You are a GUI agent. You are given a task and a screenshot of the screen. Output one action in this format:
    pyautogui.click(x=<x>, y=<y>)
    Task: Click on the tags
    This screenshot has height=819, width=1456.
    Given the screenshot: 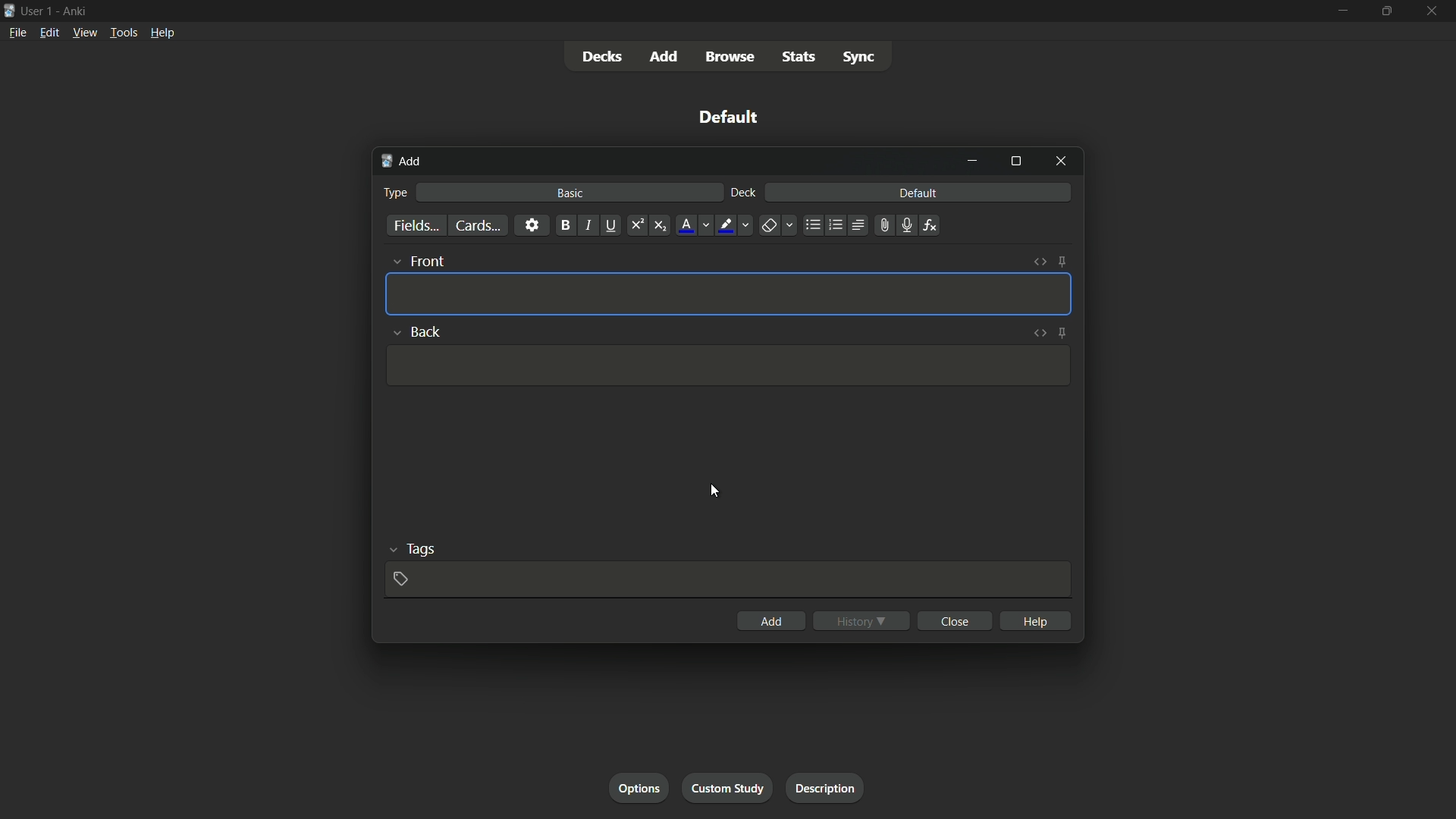 What is the action you would take?
    pyautogui.click(x=410, y=549)
    